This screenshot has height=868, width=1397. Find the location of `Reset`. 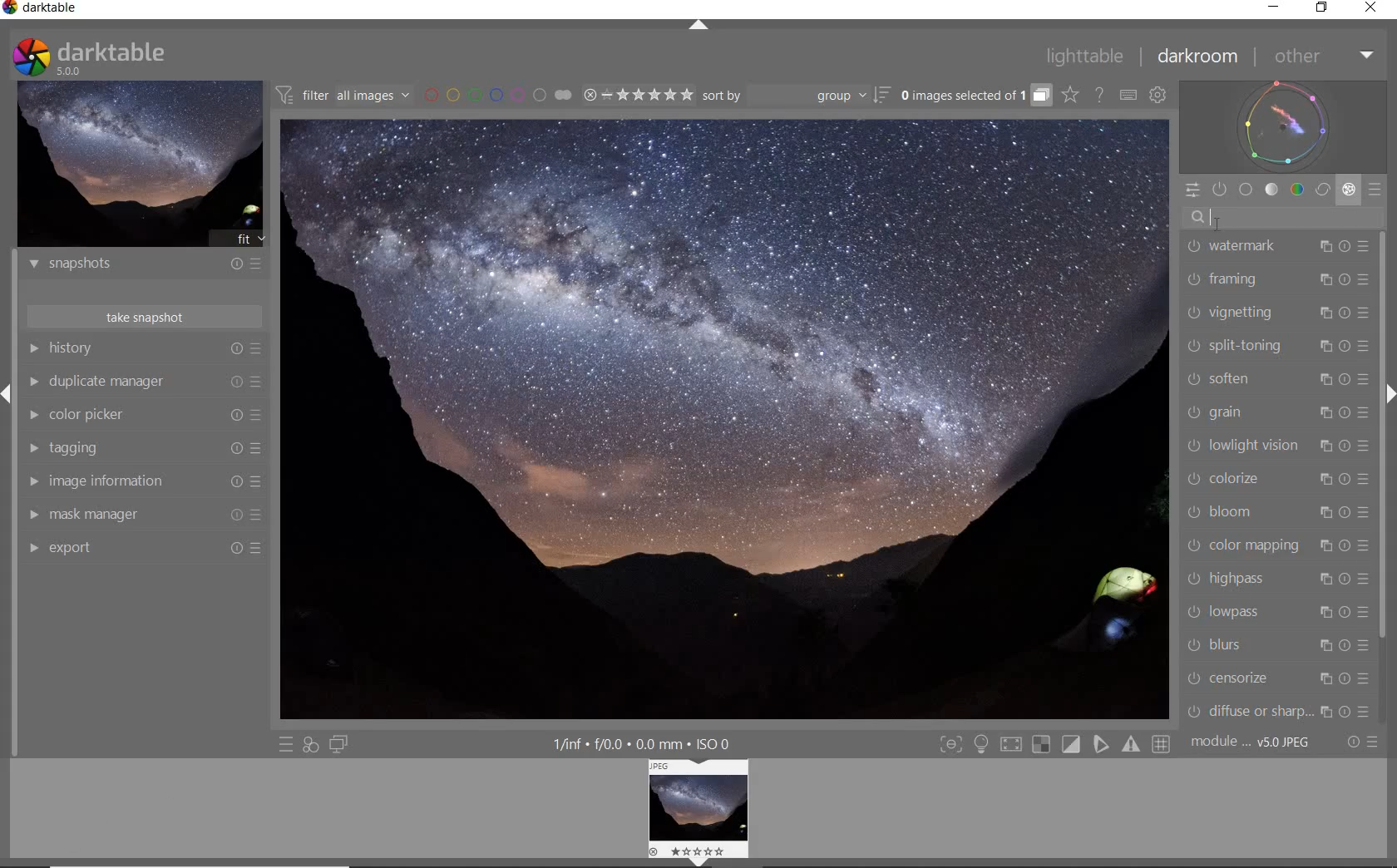

Reset is located at coordinates (259, 547).